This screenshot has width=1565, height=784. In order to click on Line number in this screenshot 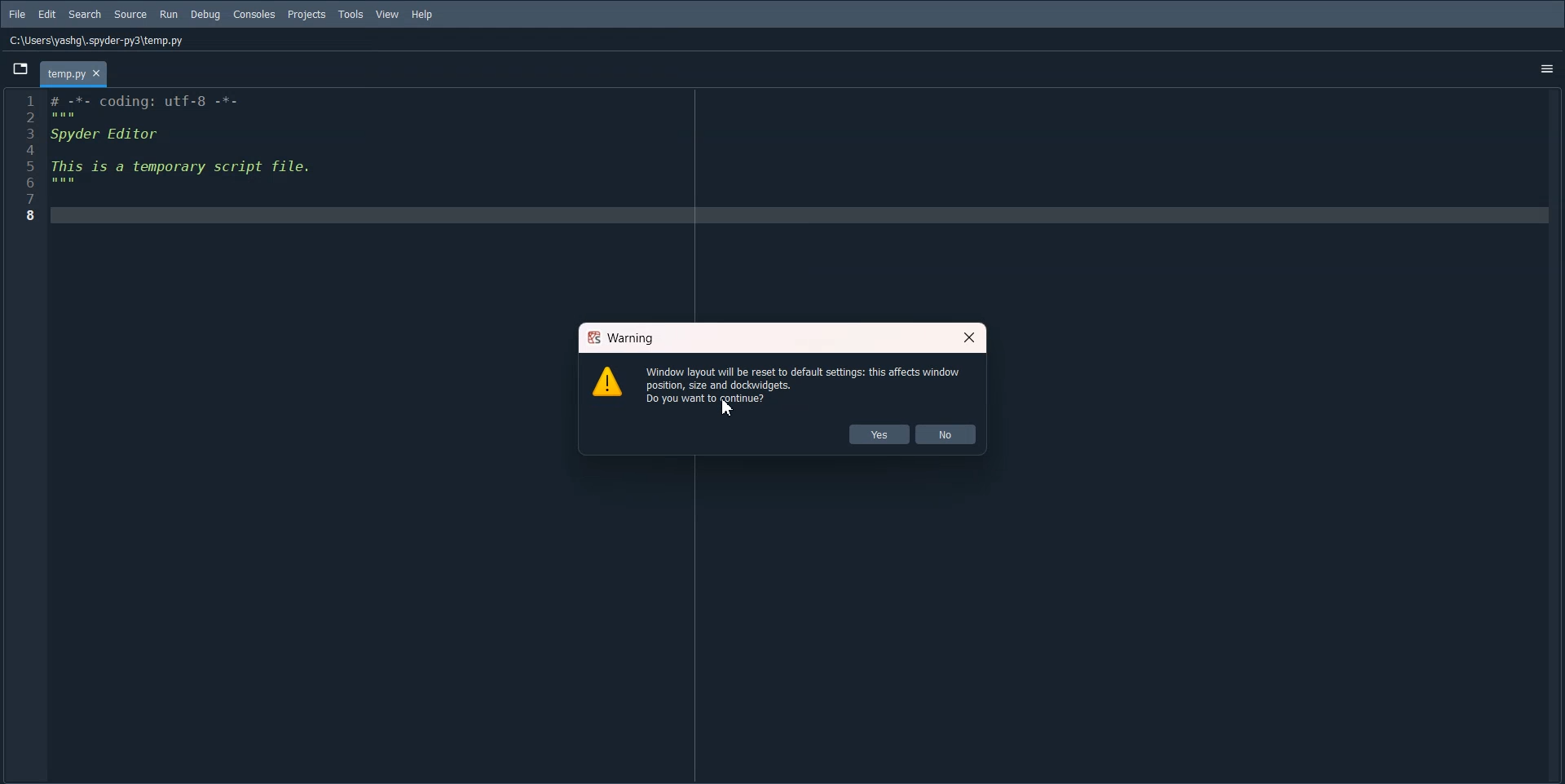, I will do `click(24, 157)`.